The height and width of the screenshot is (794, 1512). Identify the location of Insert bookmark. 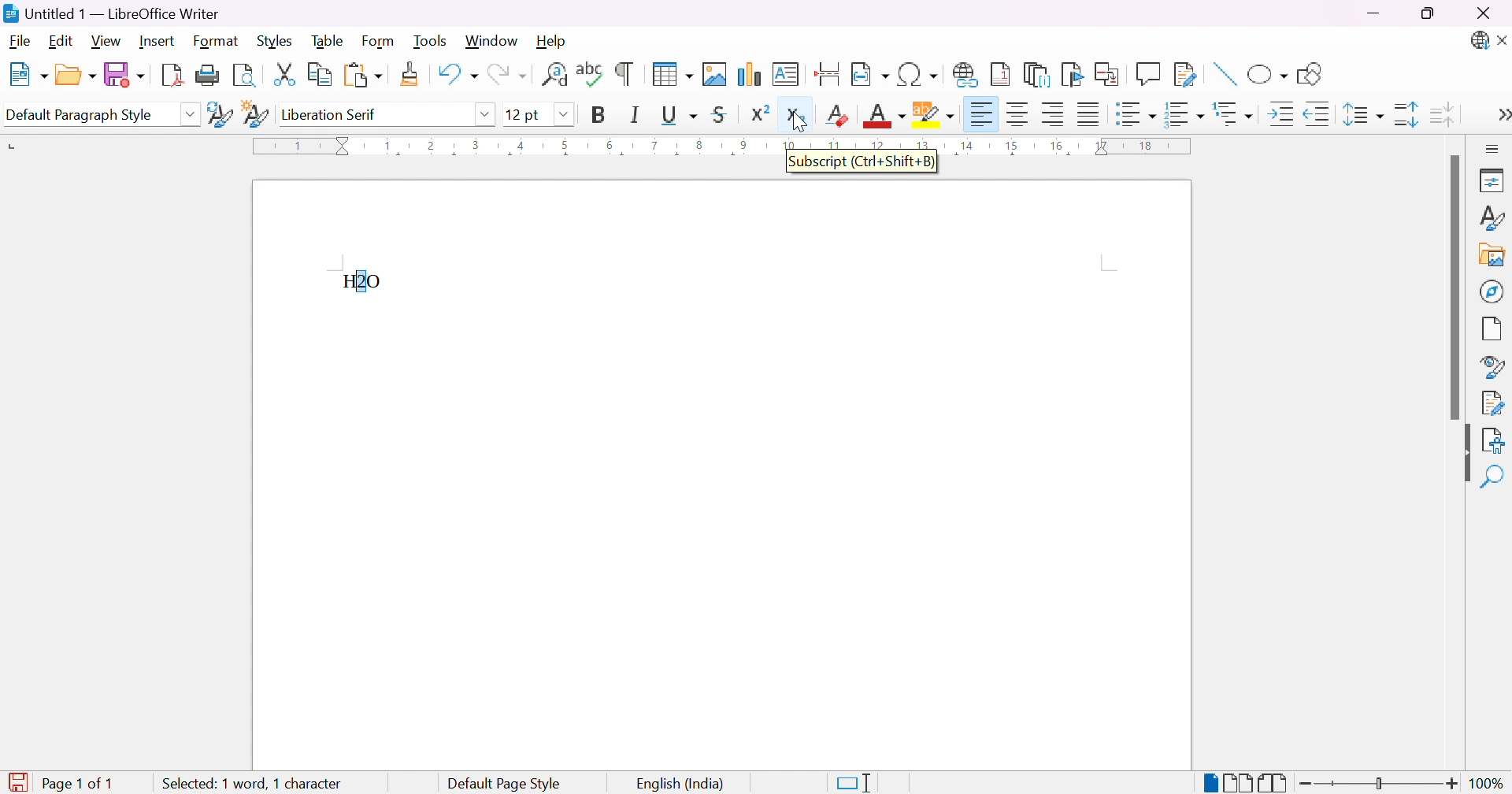
(1073, 74).